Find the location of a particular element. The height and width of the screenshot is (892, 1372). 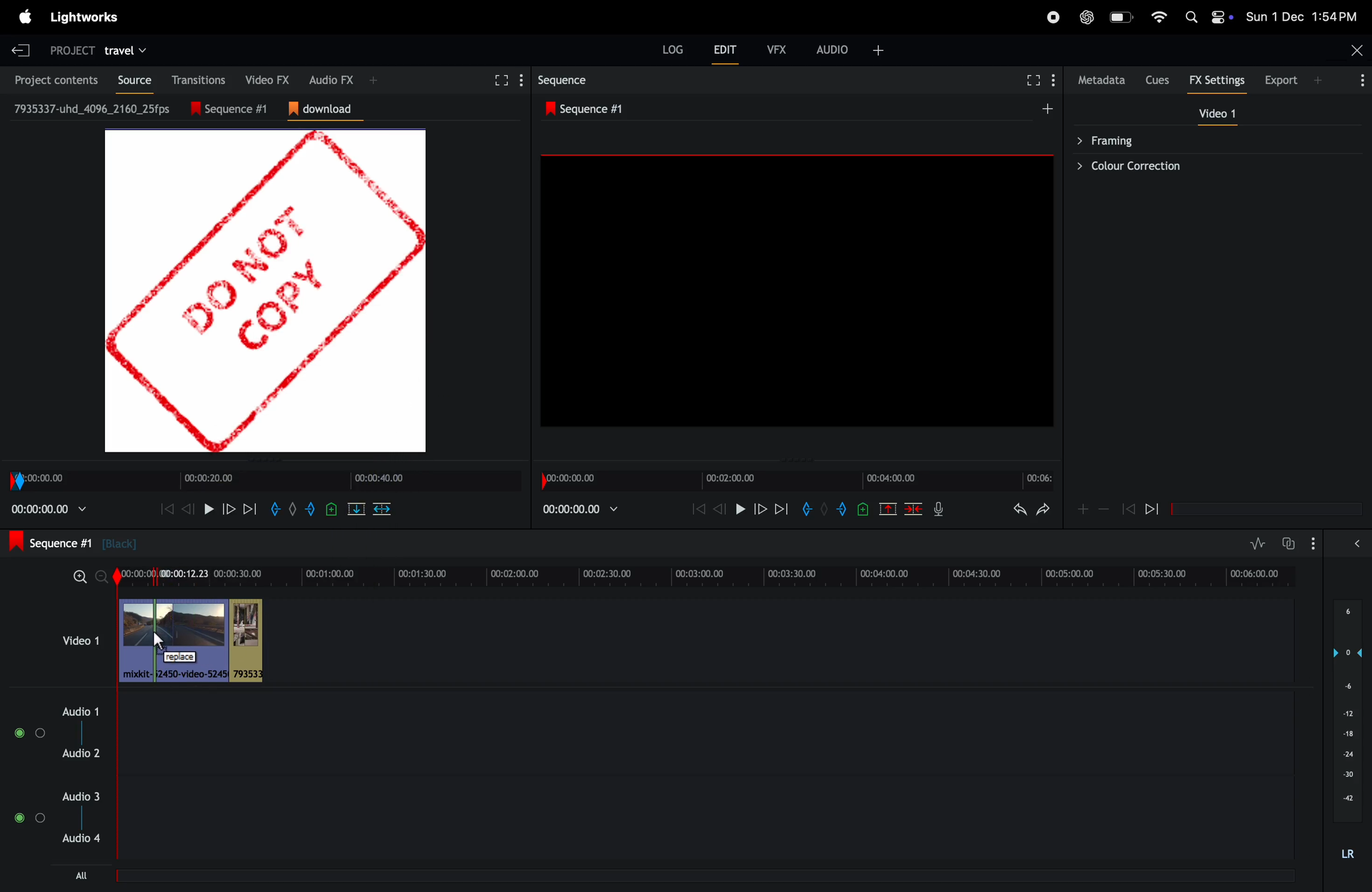

audio + is located at coordinates (833, 50).